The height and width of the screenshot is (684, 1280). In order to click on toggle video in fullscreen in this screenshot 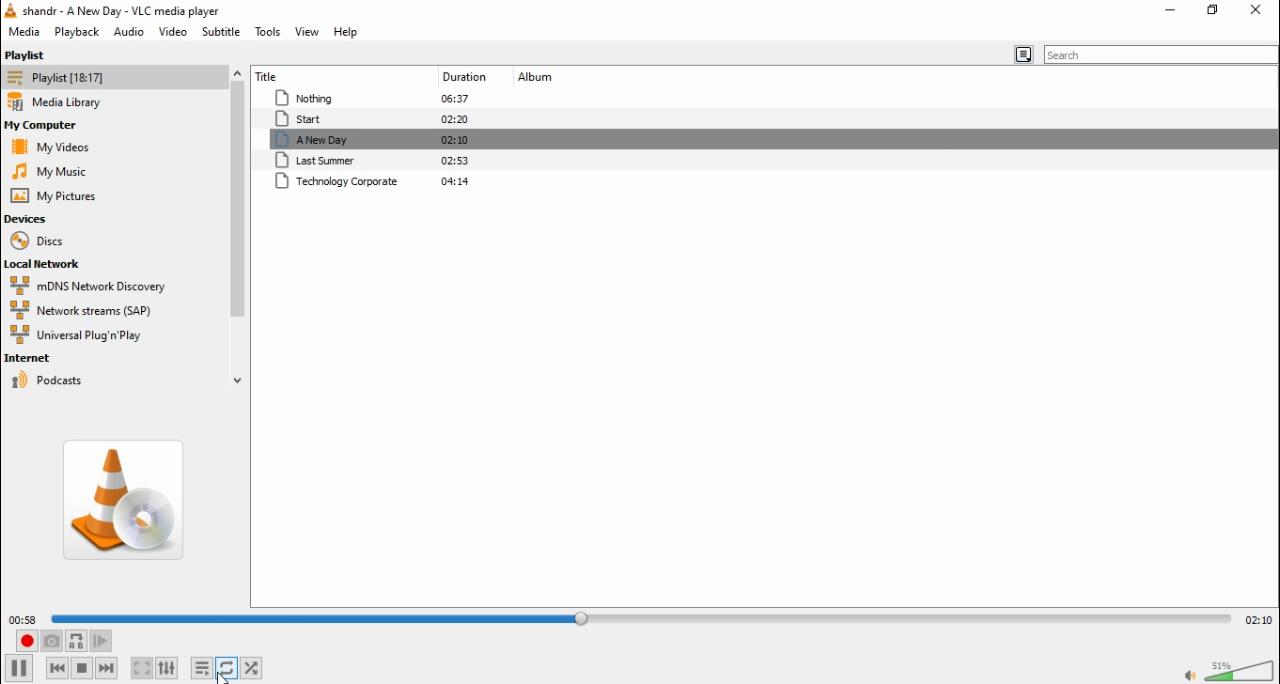, I will do `click(140, 666)`.